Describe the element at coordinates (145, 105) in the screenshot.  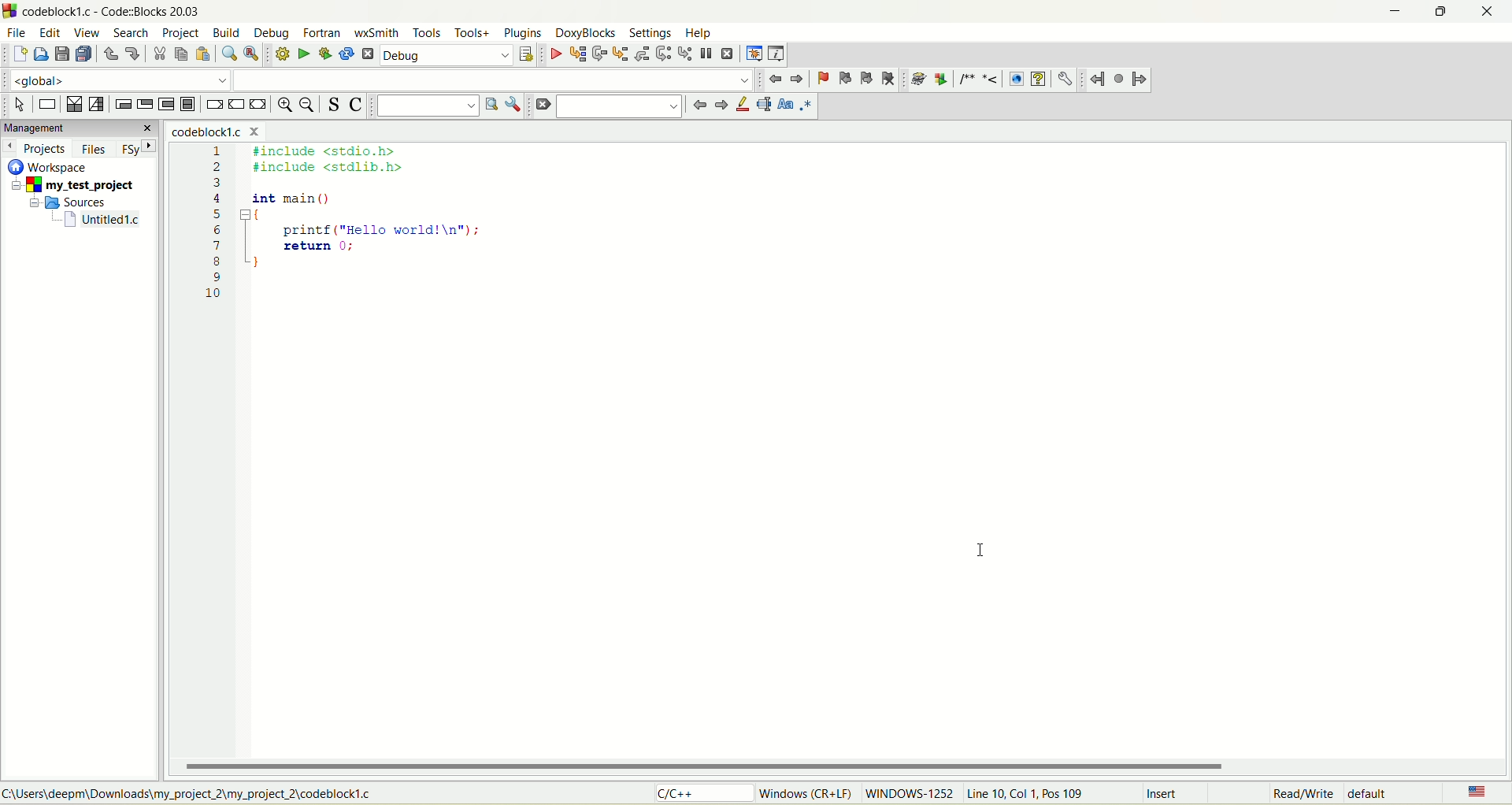
I see `exit condition loop` at that location.